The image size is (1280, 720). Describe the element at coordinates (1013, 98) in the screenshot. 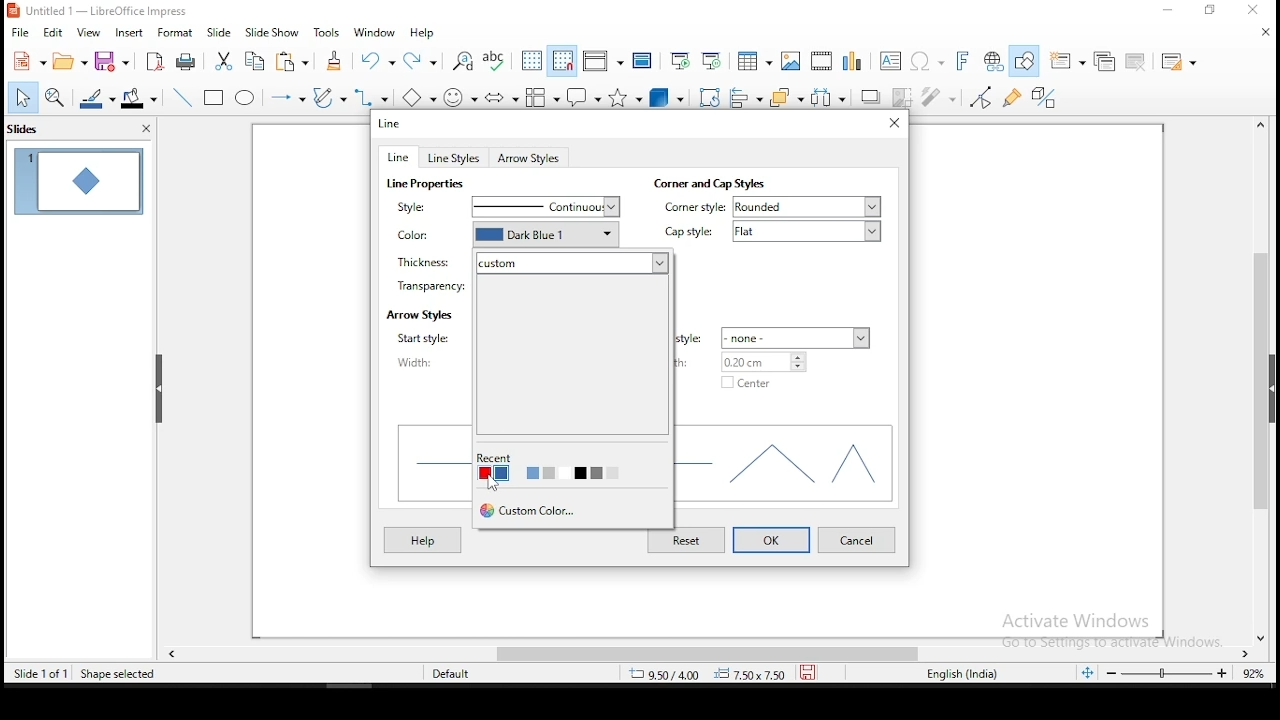

I see `show gluepoint functions` at that location.